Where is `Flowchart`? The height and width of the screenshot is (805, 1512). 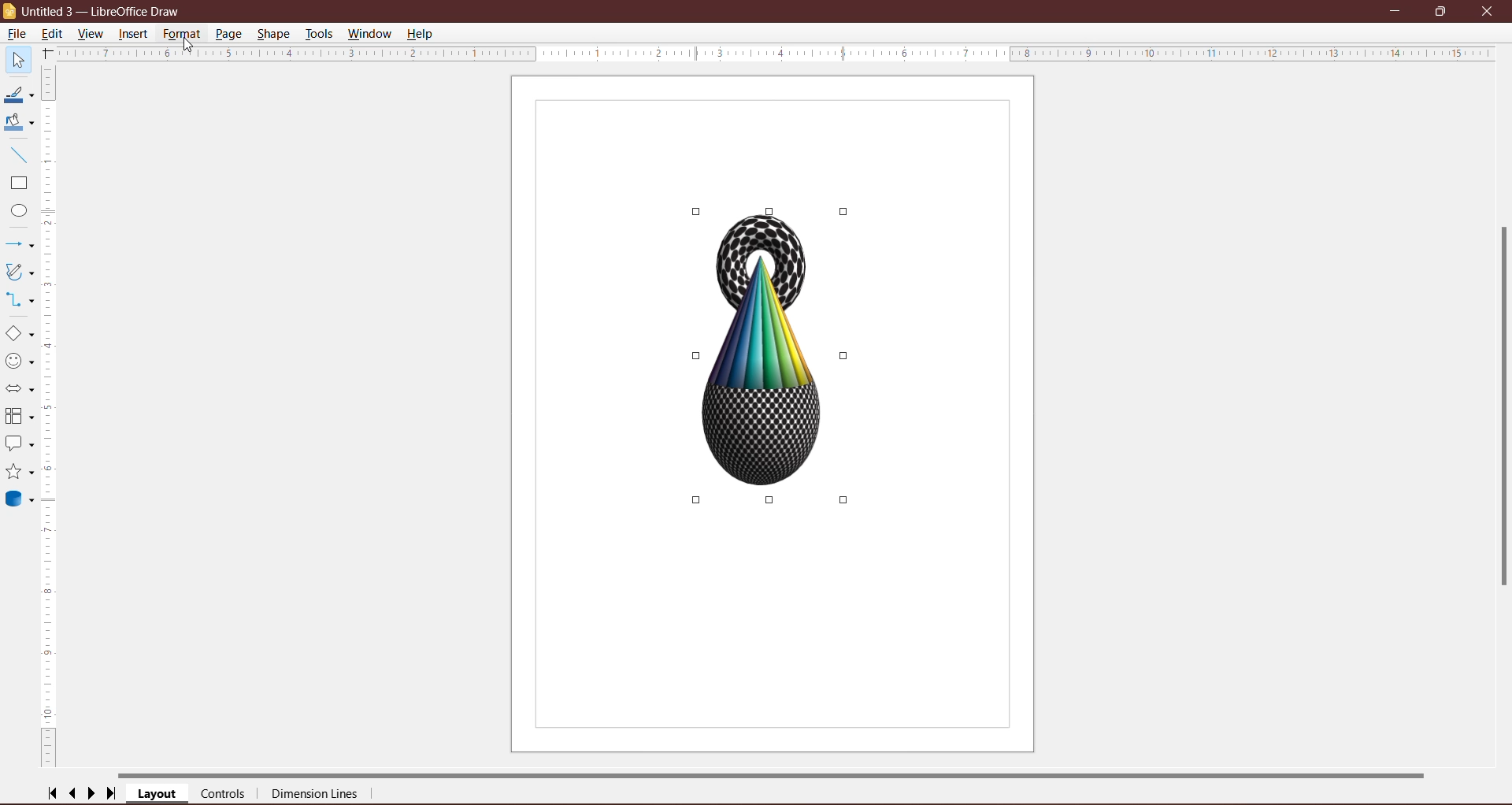 Flowchart is located at coordinates (20, 417).